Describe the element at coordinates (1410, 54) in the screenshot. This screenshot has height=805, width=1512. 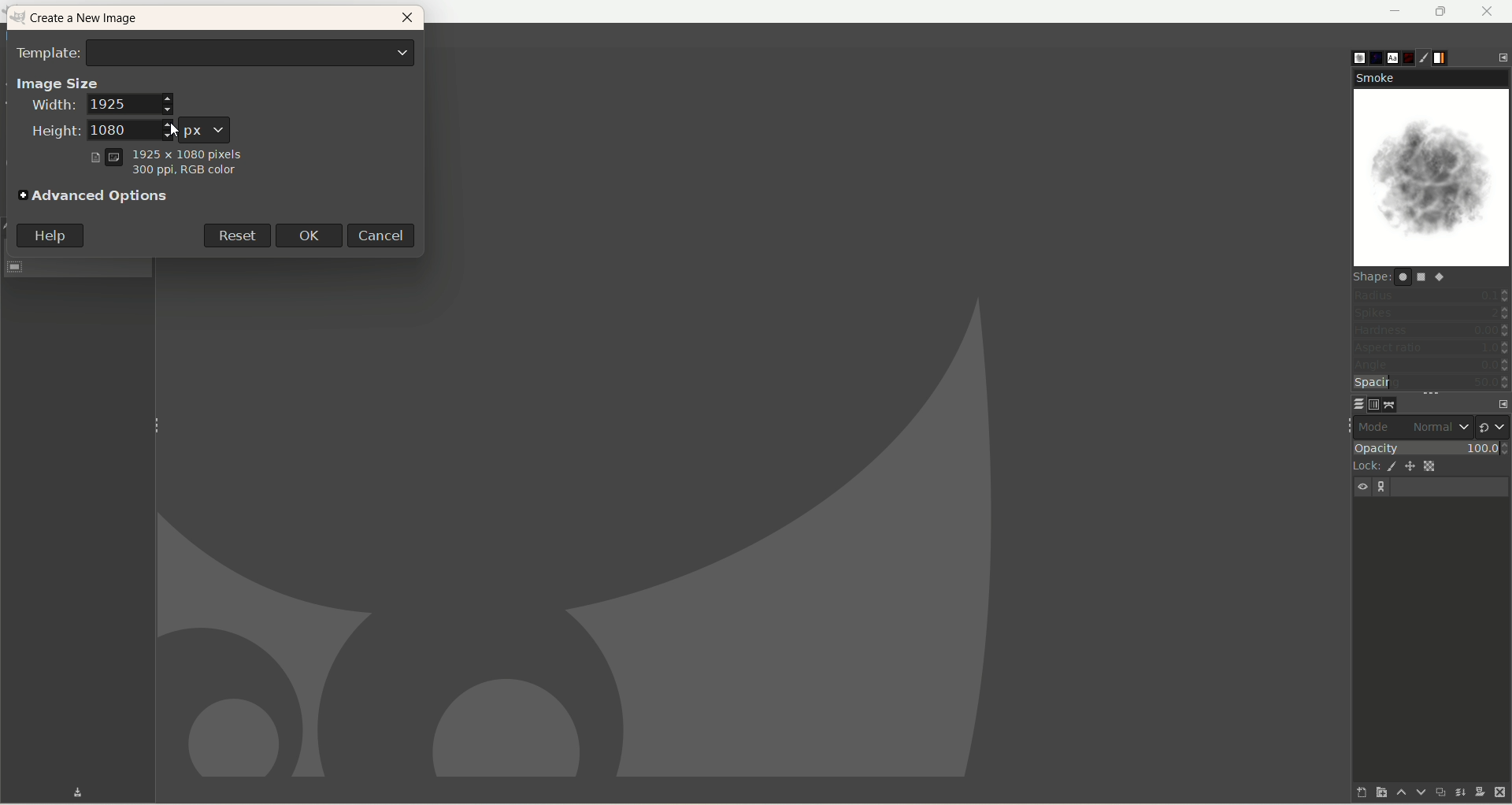
I see `document history` at that location.